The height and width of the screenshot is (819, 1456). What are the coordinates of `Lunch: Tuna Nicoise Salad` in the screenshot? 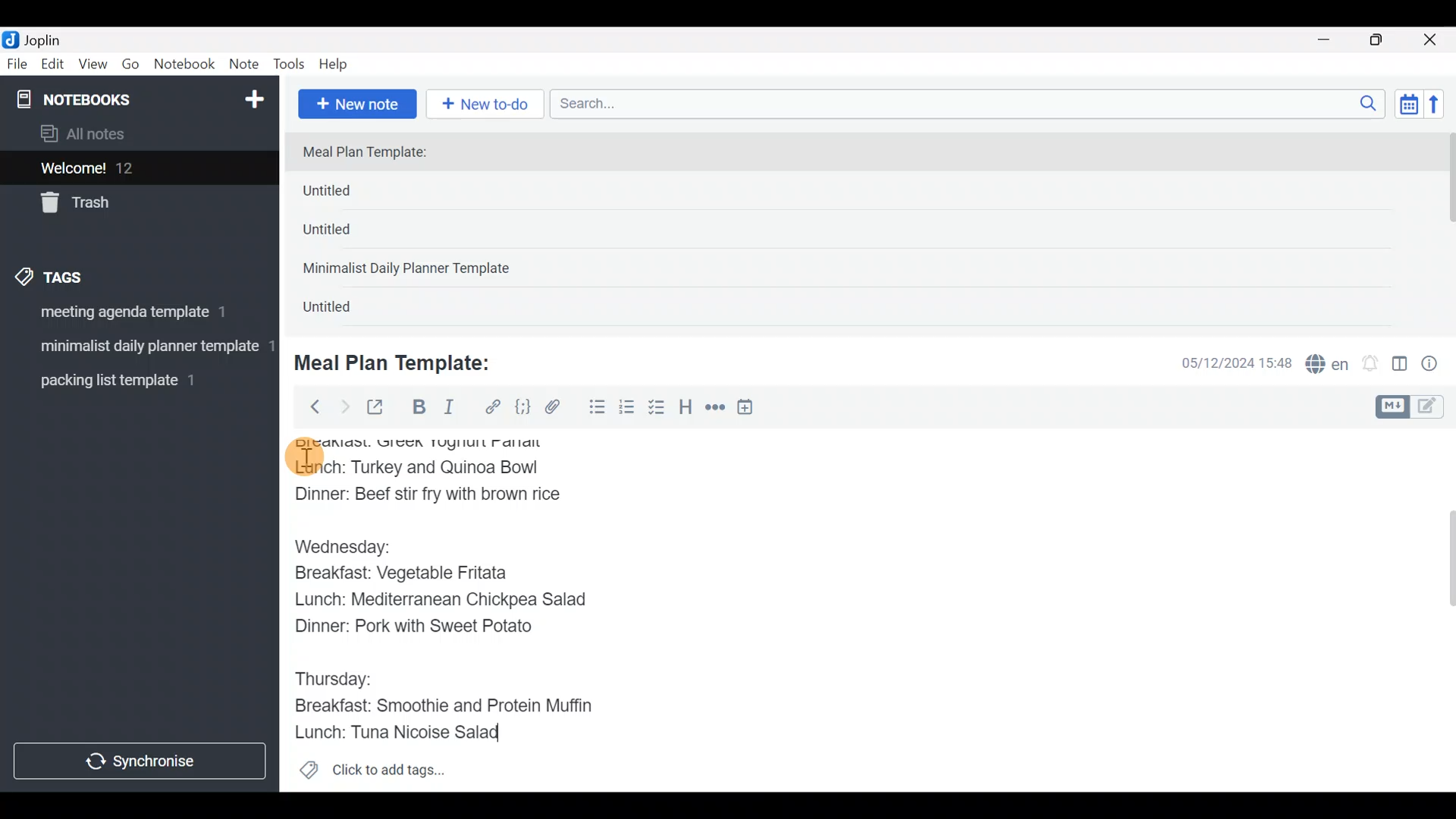 It's located at (406, 732).